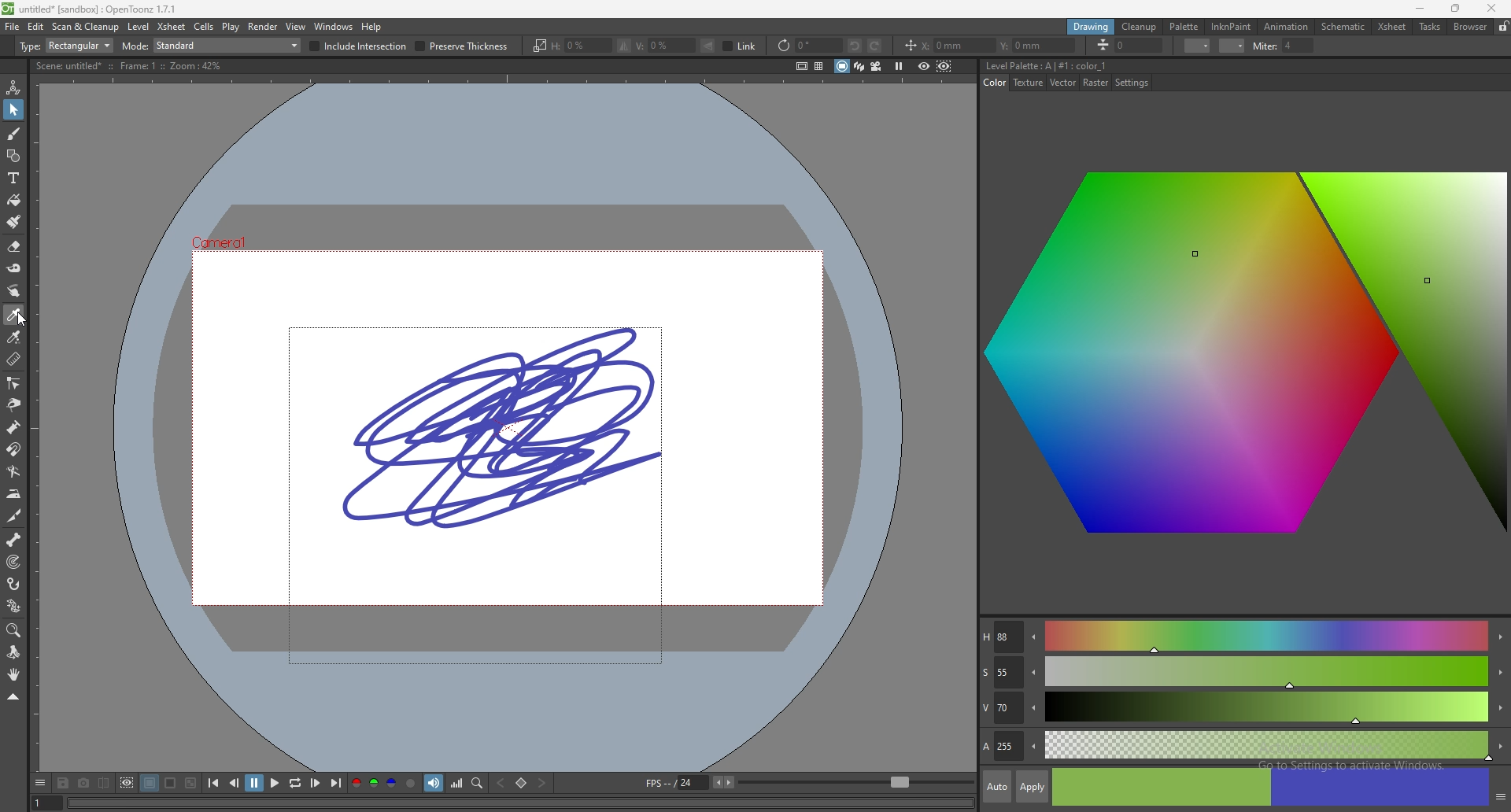 Image resolution: width=1511 pixels, height=812 pixels. Describe the element at coordinates (859, 65) in the screenshot. I see `3d view` at that location.